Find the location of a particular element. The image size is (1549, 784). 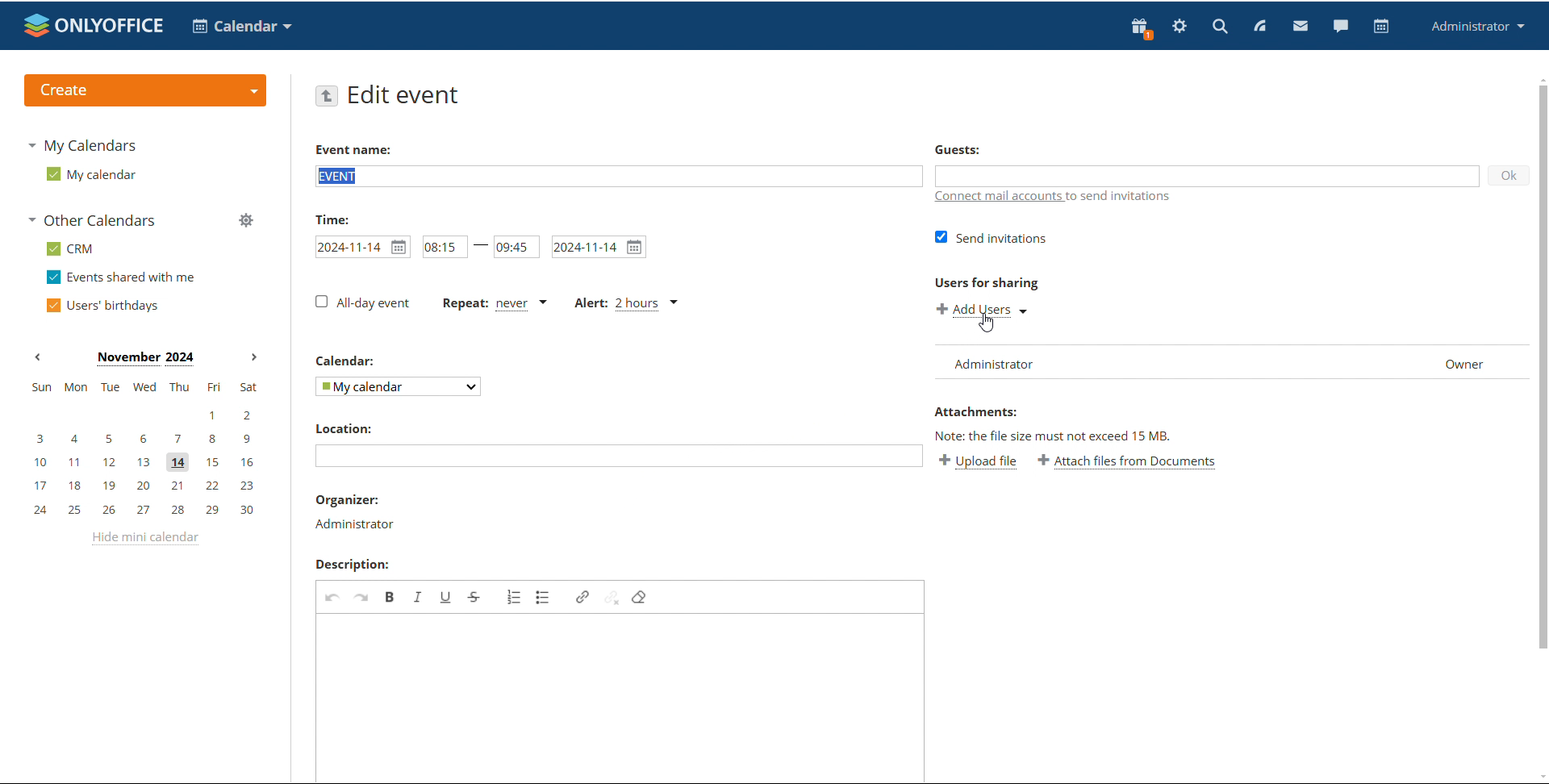

event repetition is located at coordinates (491, 303).